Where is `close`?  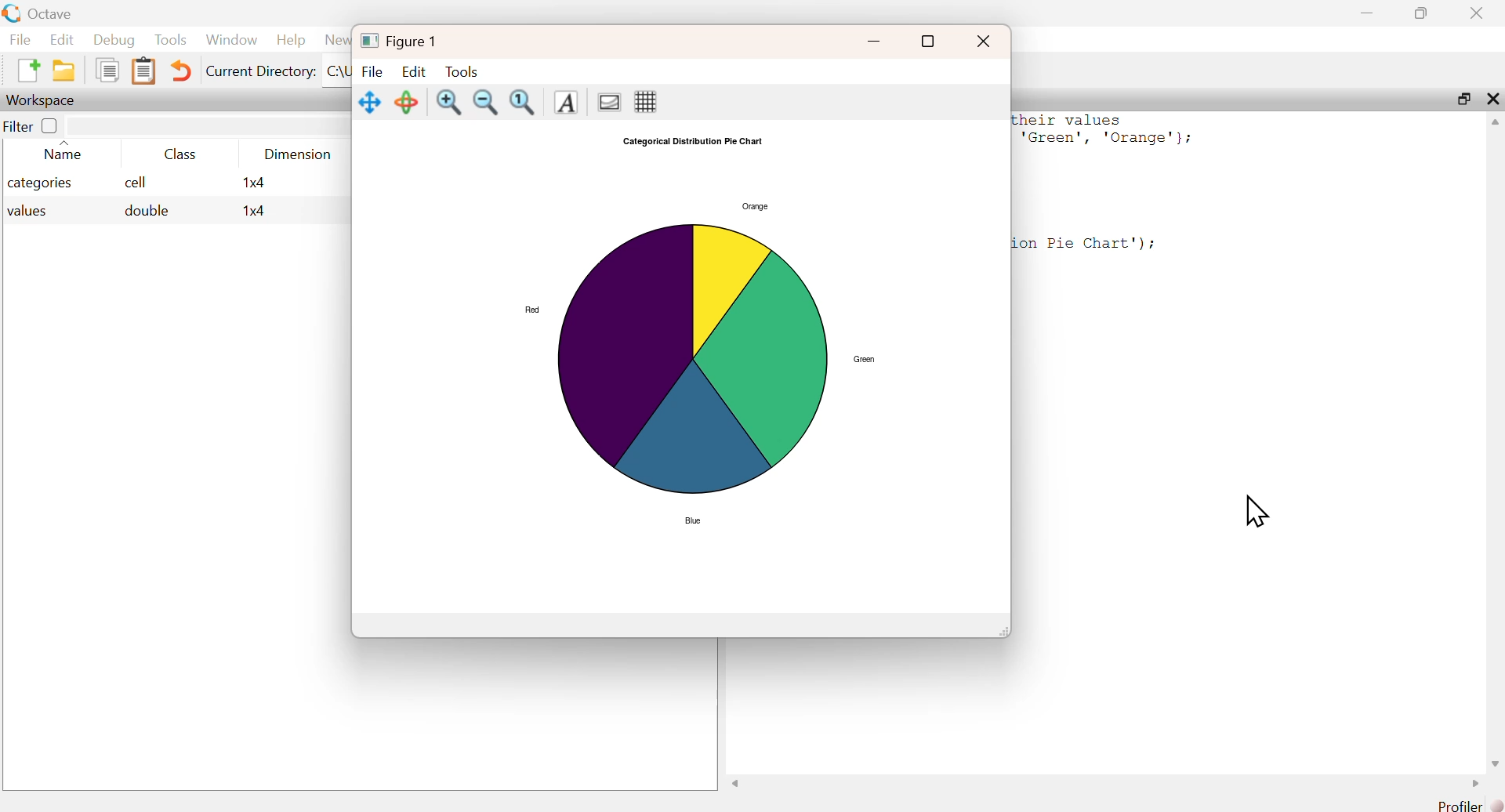 close is located at coordinates (1492, 97).